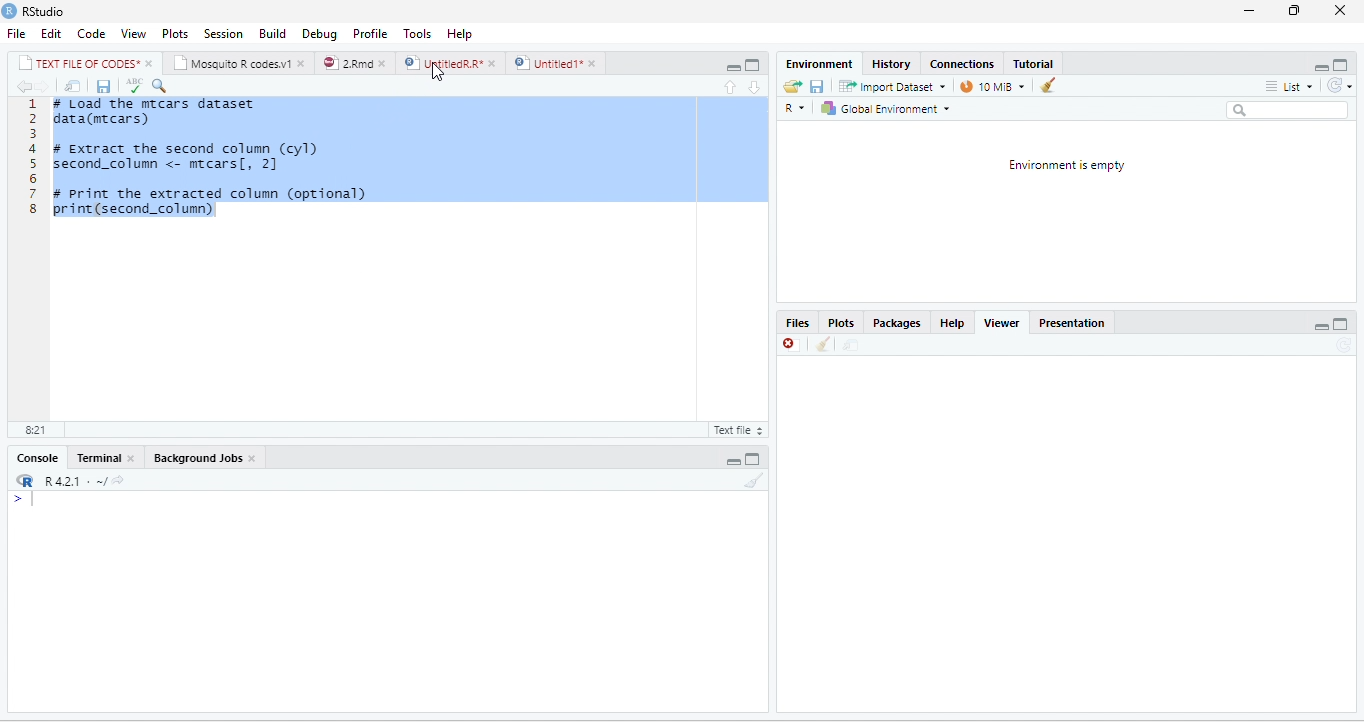  I want to click on spellcheck, so click(133, 86).